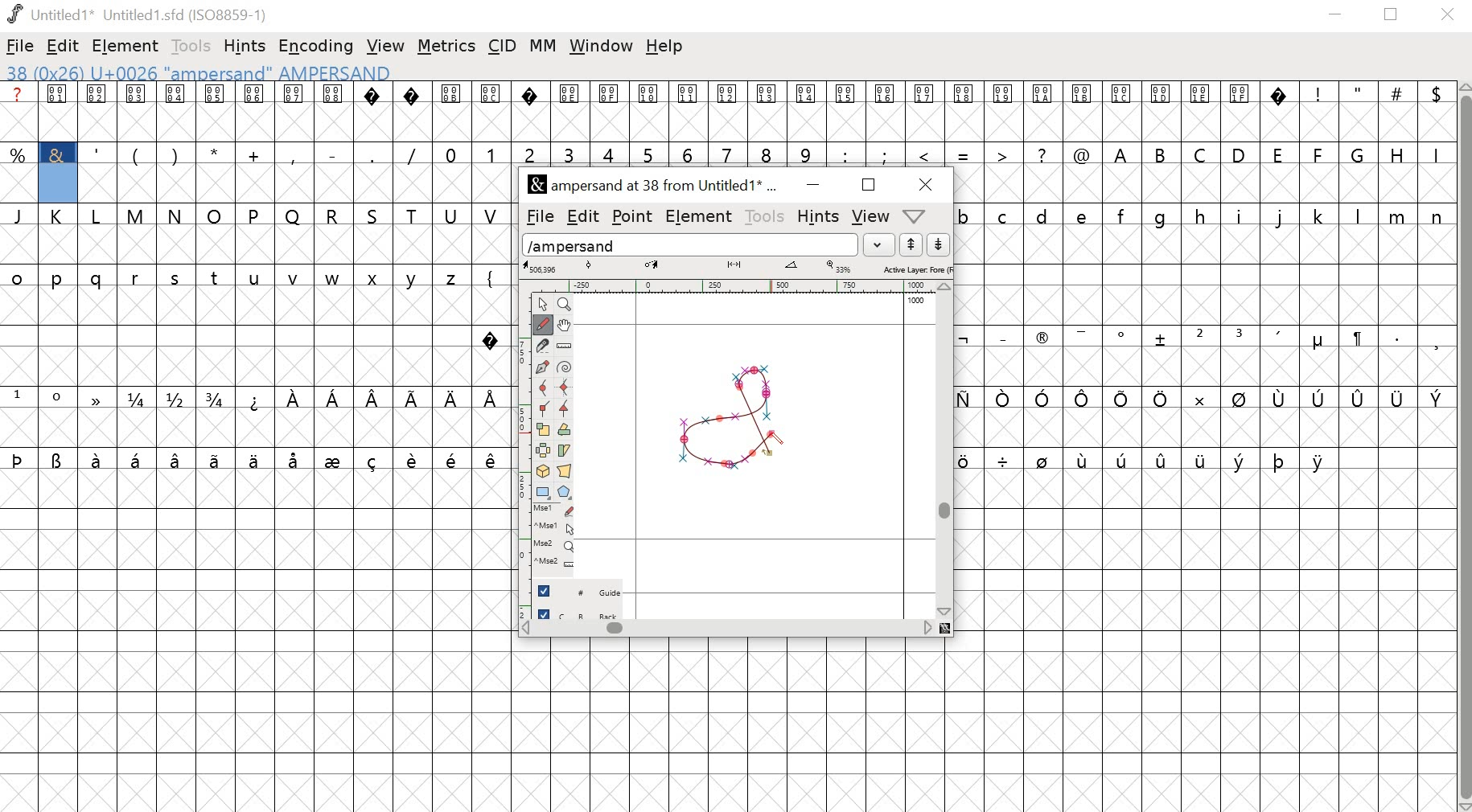 The image size is (1472, 812). Describe the element at coordinates (566, 324) in the screenshot. I see `scroll by hand` at that location.